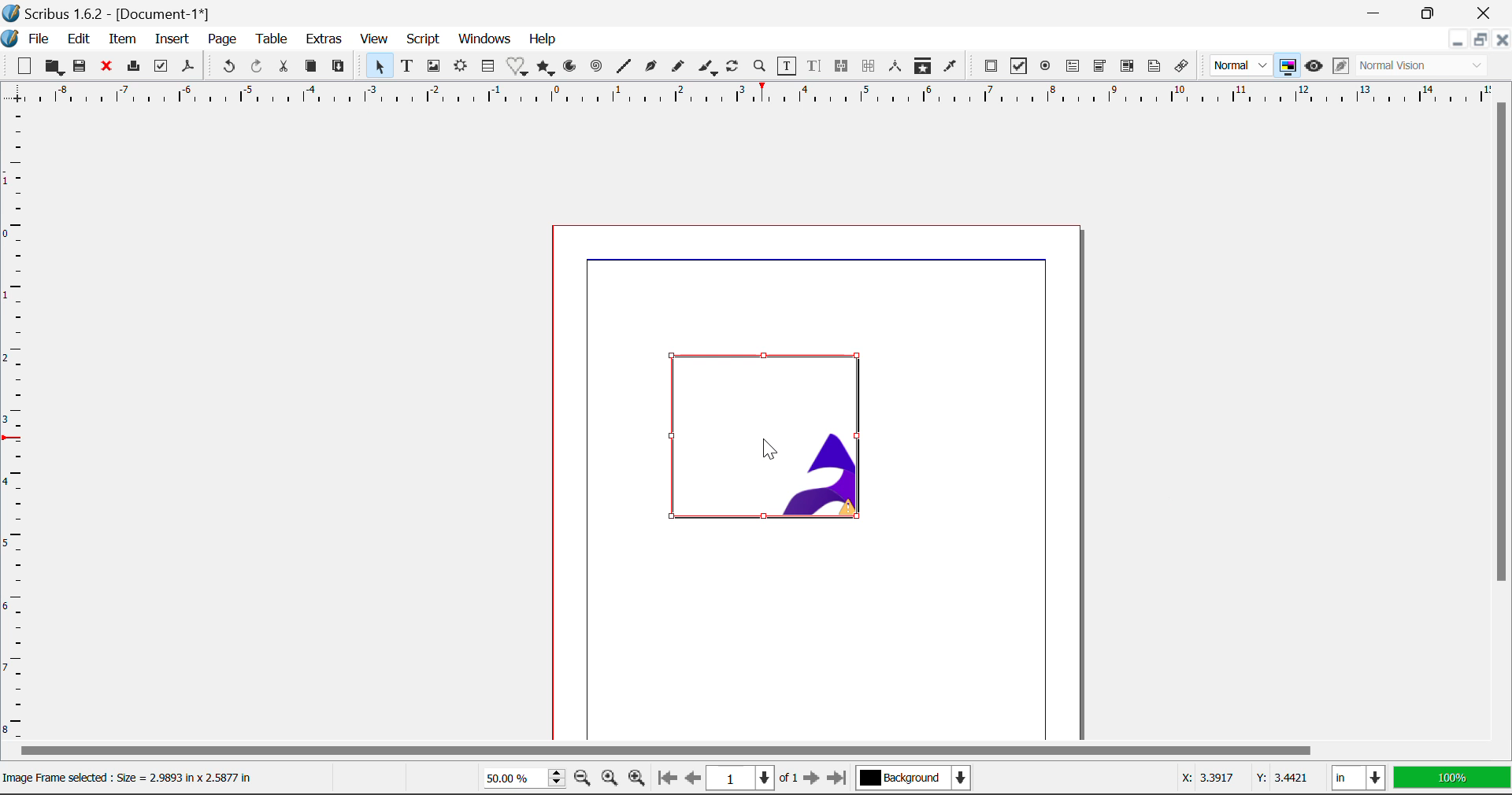  What do you see at coordinates (542, 41) in the screenshot?
I see `Help` at bounding box center [542, 41].